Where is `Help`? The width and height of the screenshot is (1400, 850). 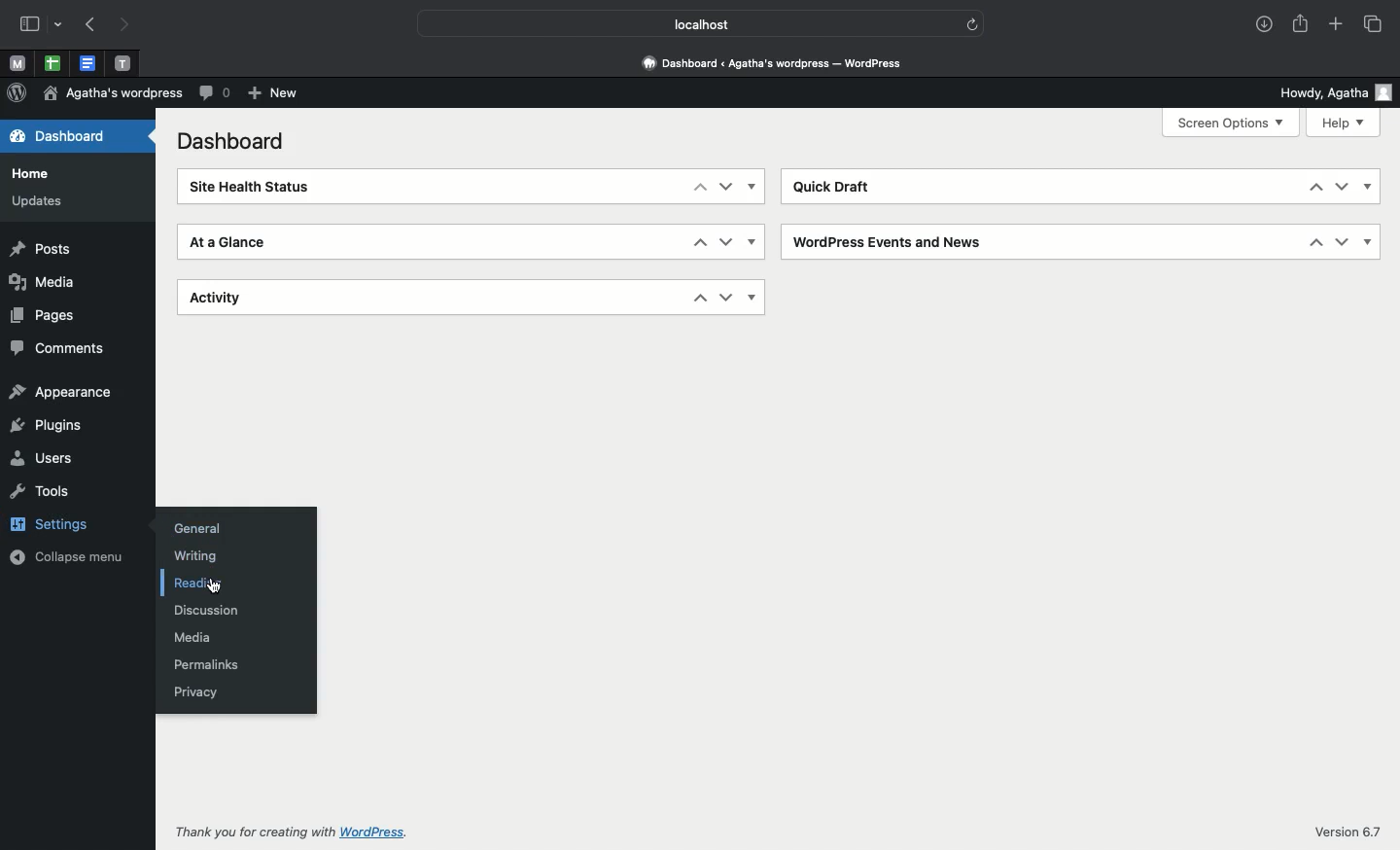 Help is located at coordinates (1343, 124).